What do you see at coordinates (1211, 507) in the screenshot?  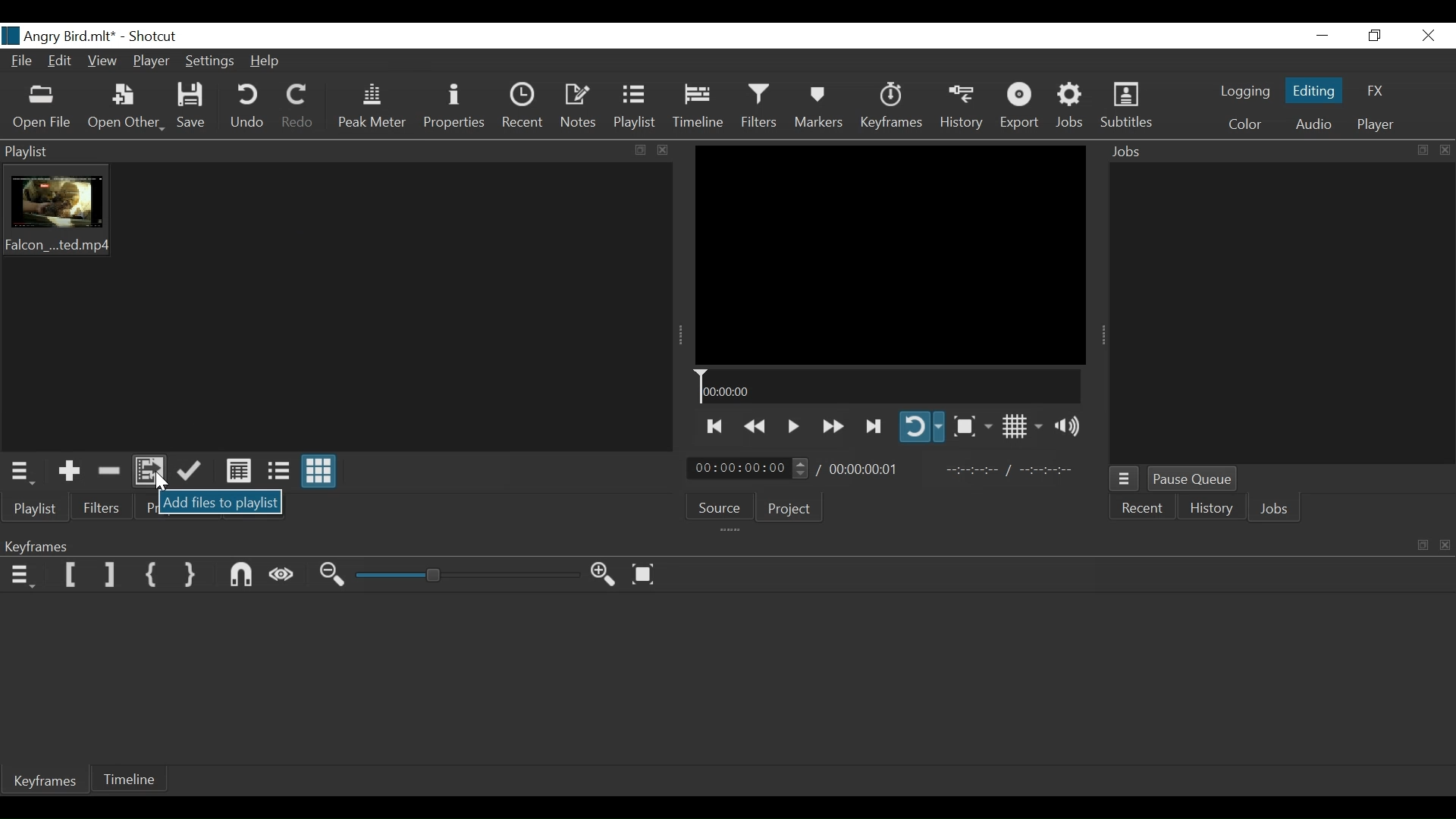 I see `History` at bounding box center [1211, 507].